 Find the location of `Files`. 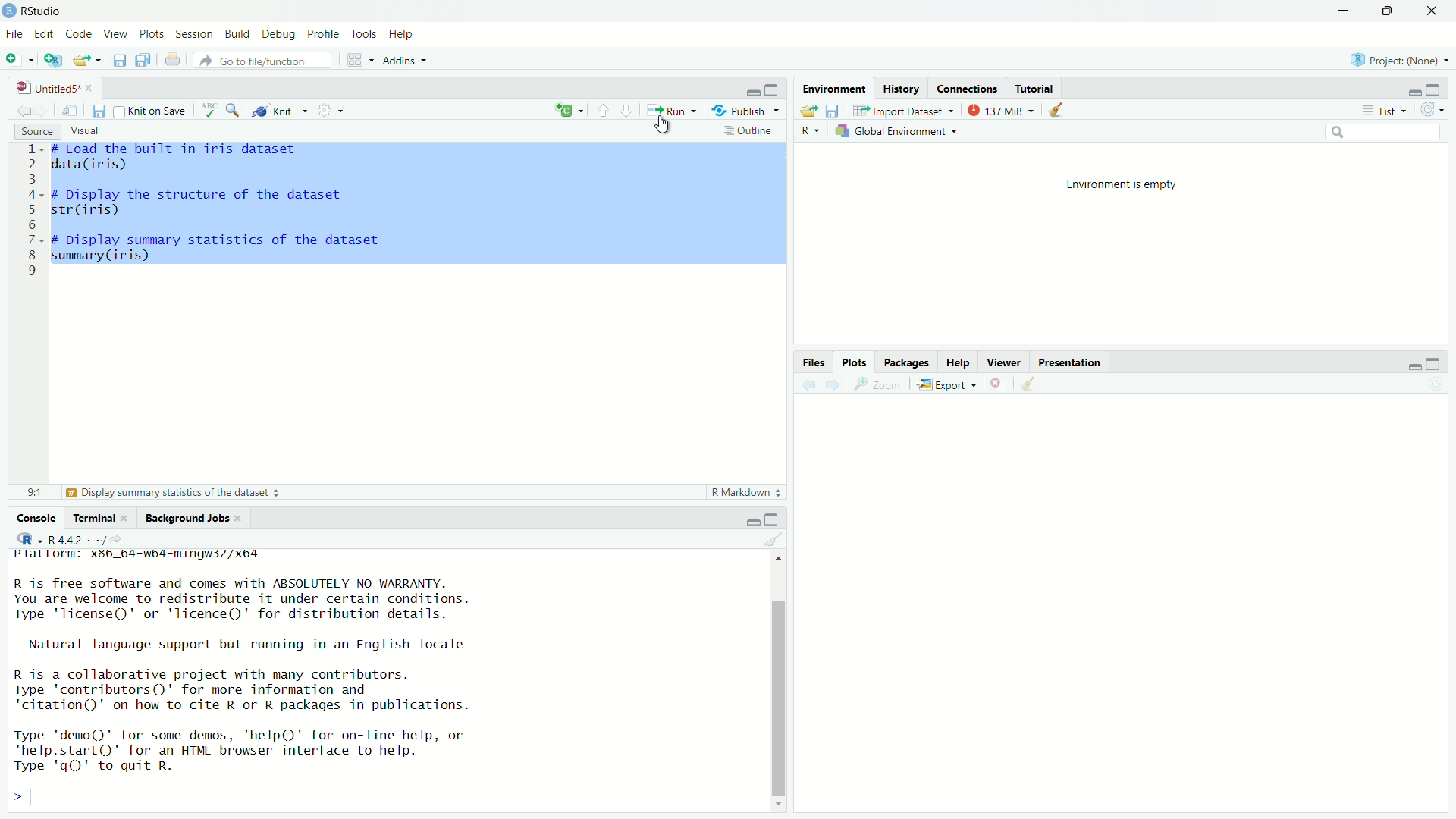

Files is located at coordinates (814, 362).